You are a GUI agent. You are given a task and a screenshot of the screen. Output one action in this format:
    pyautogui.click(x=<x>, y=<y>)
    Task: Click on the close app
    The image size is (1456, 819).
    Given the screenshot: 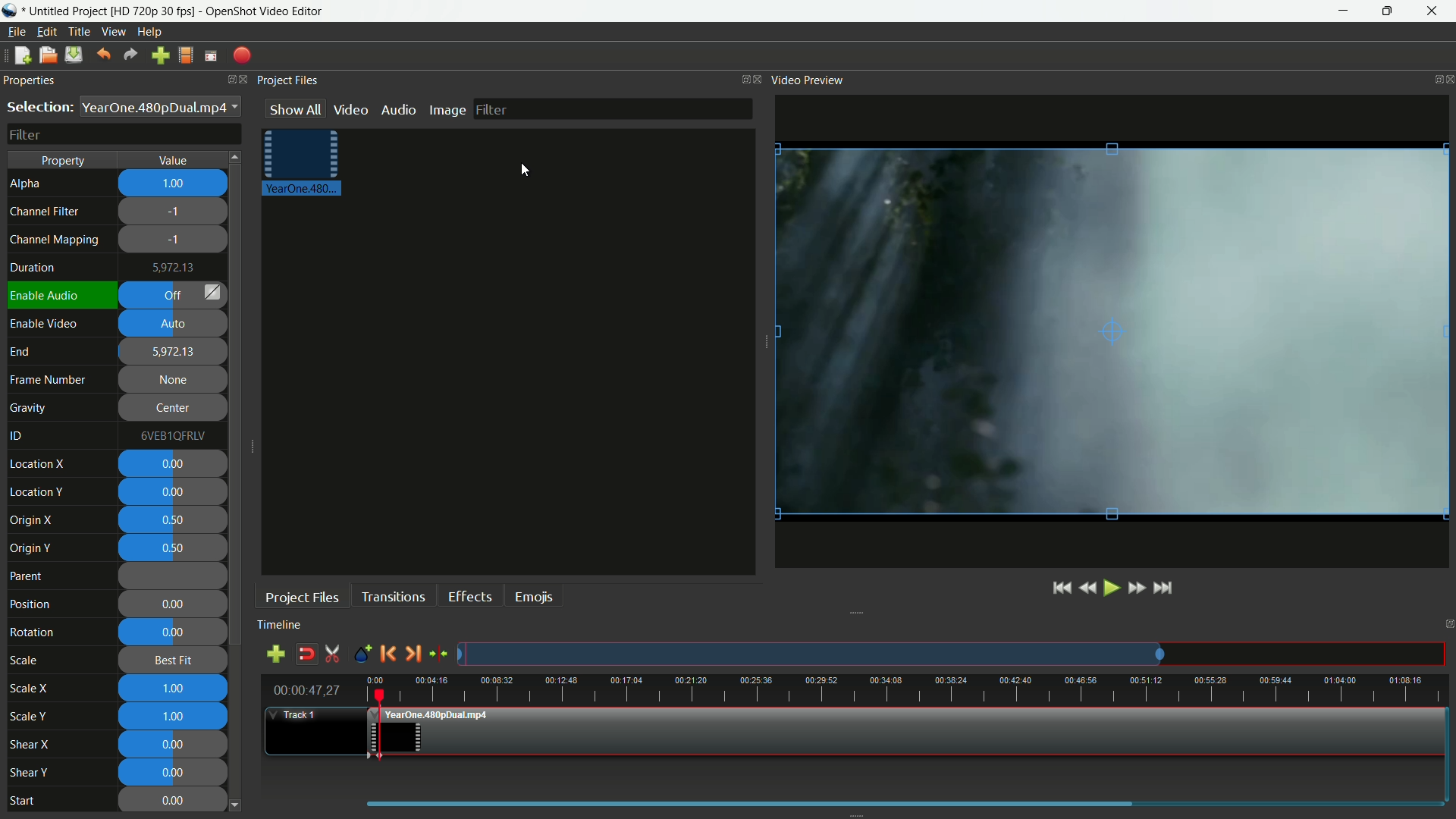 What is the action you would take?
    pyautogui.click(x=1434, y=11)
    